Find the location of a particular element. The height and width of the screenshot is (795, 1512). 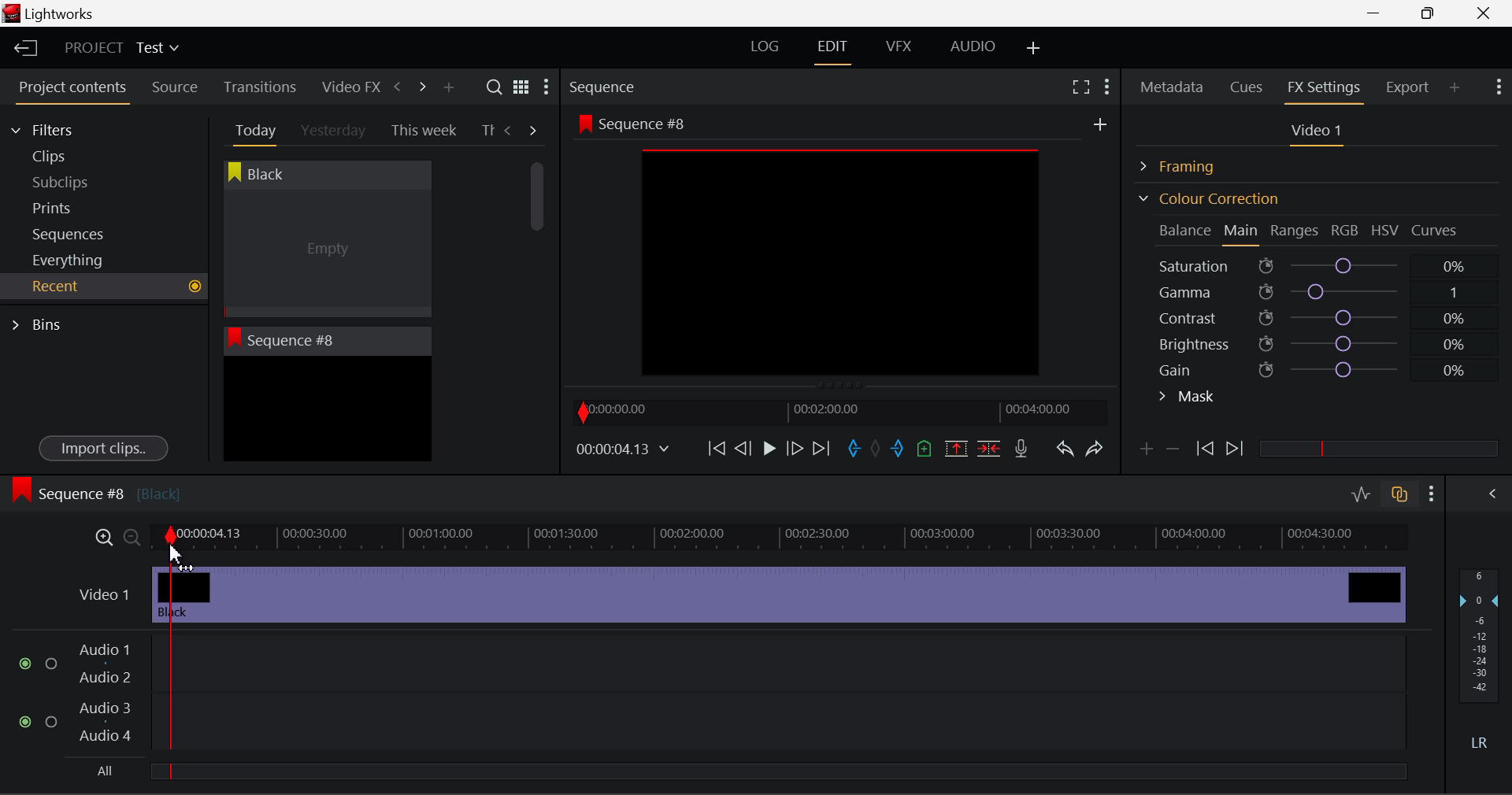

Import clips is located at coordinates (103, 449).